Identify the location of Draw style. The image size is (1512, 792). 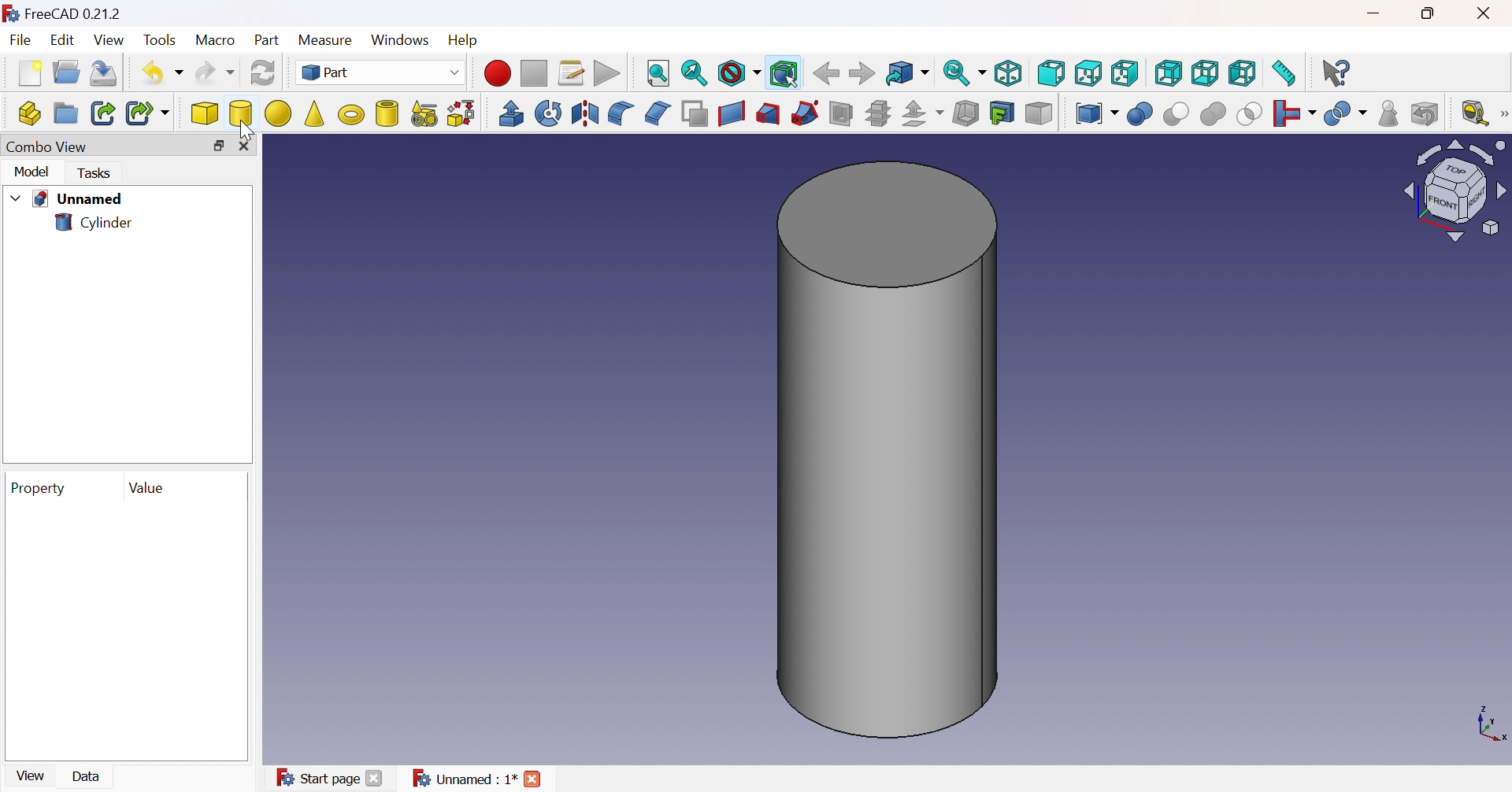
(738, 75).